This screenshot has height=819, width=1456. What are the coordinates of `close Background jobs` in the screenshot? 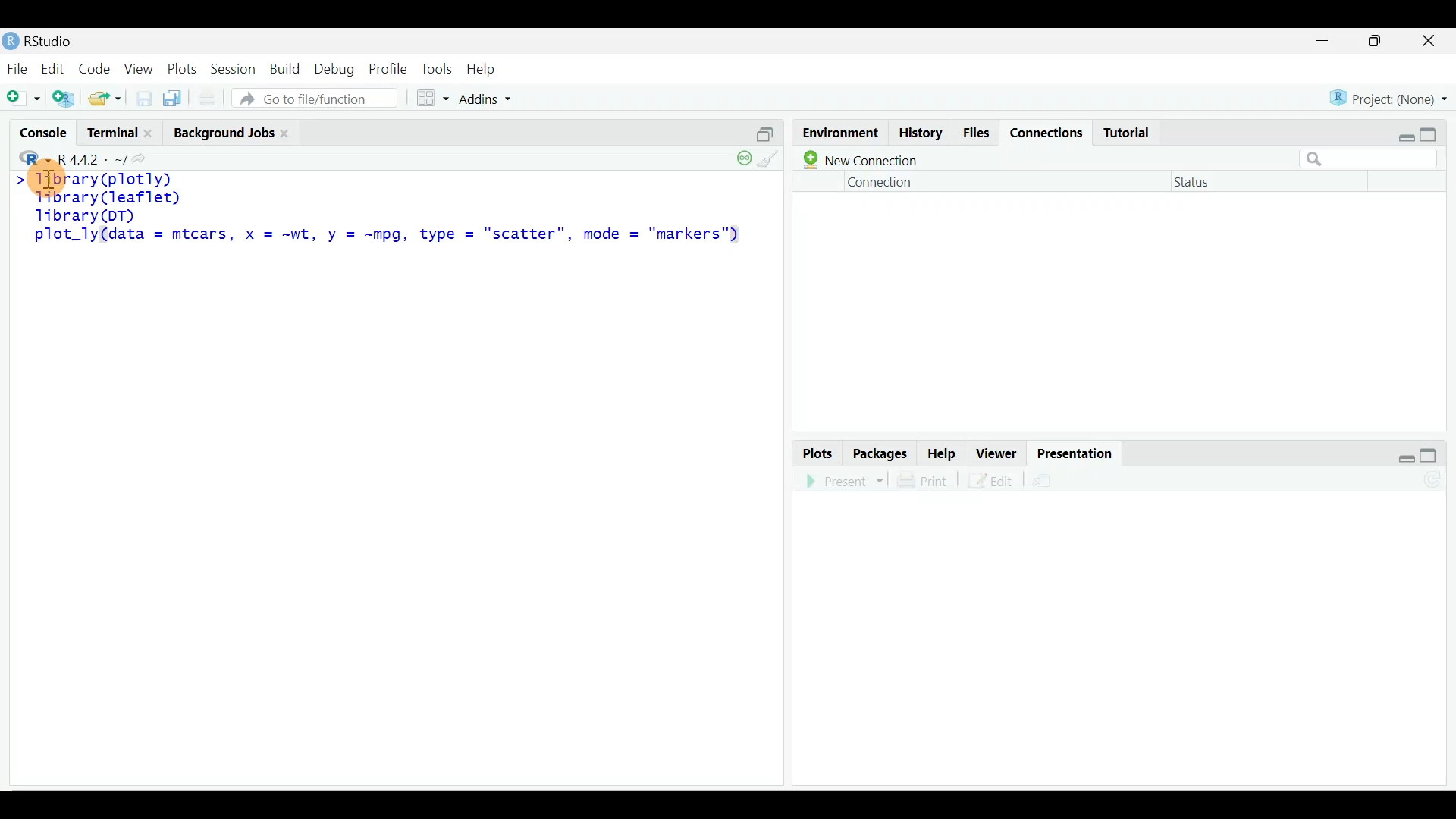 It's located at (287, 130).